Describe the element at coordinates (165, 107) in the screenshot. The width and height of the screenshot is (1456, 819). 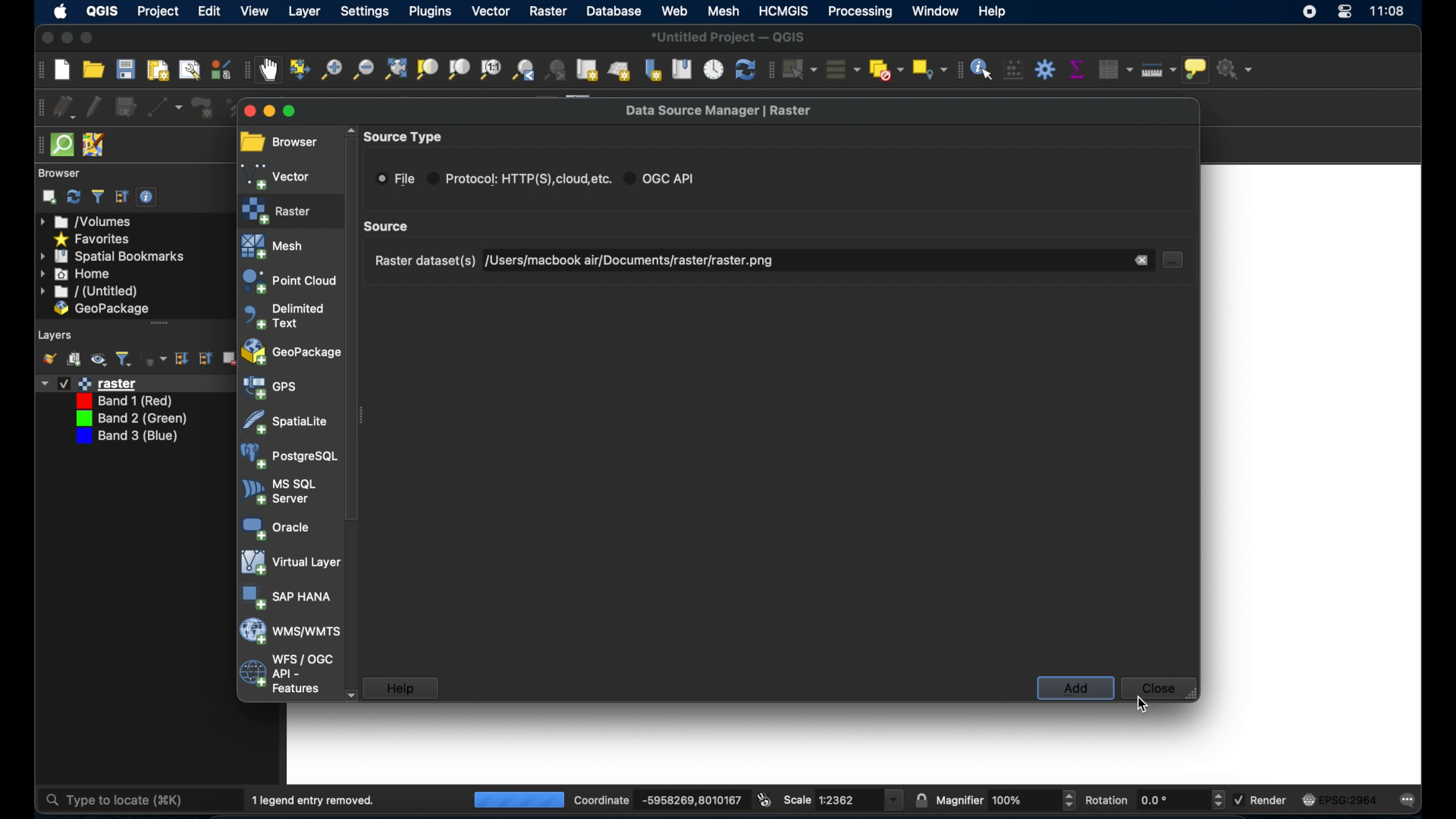
I see `digitize with segment` at that location.